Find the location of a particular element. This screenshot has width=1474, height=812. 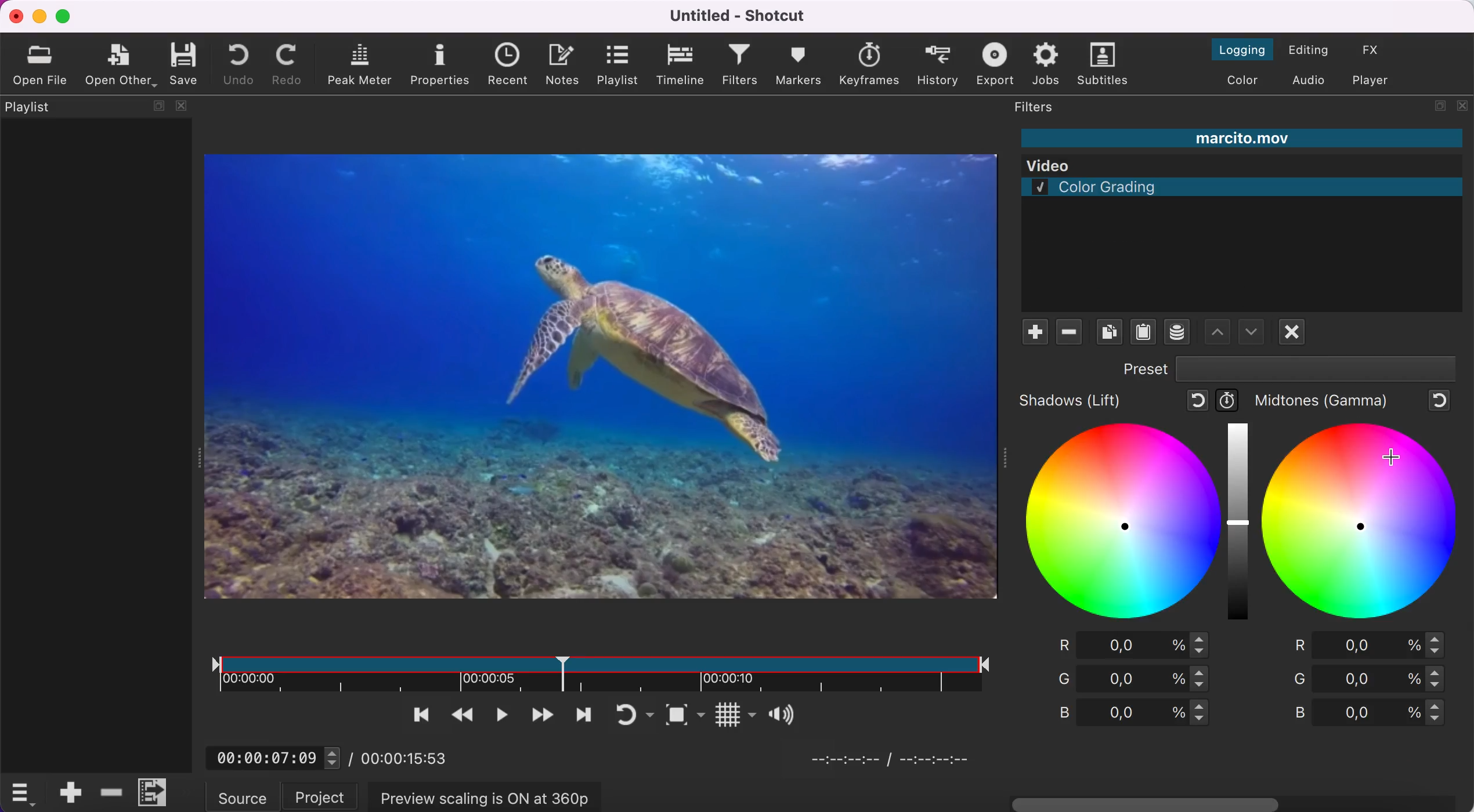

copy checked filters is located at coordinates (1108, 334).